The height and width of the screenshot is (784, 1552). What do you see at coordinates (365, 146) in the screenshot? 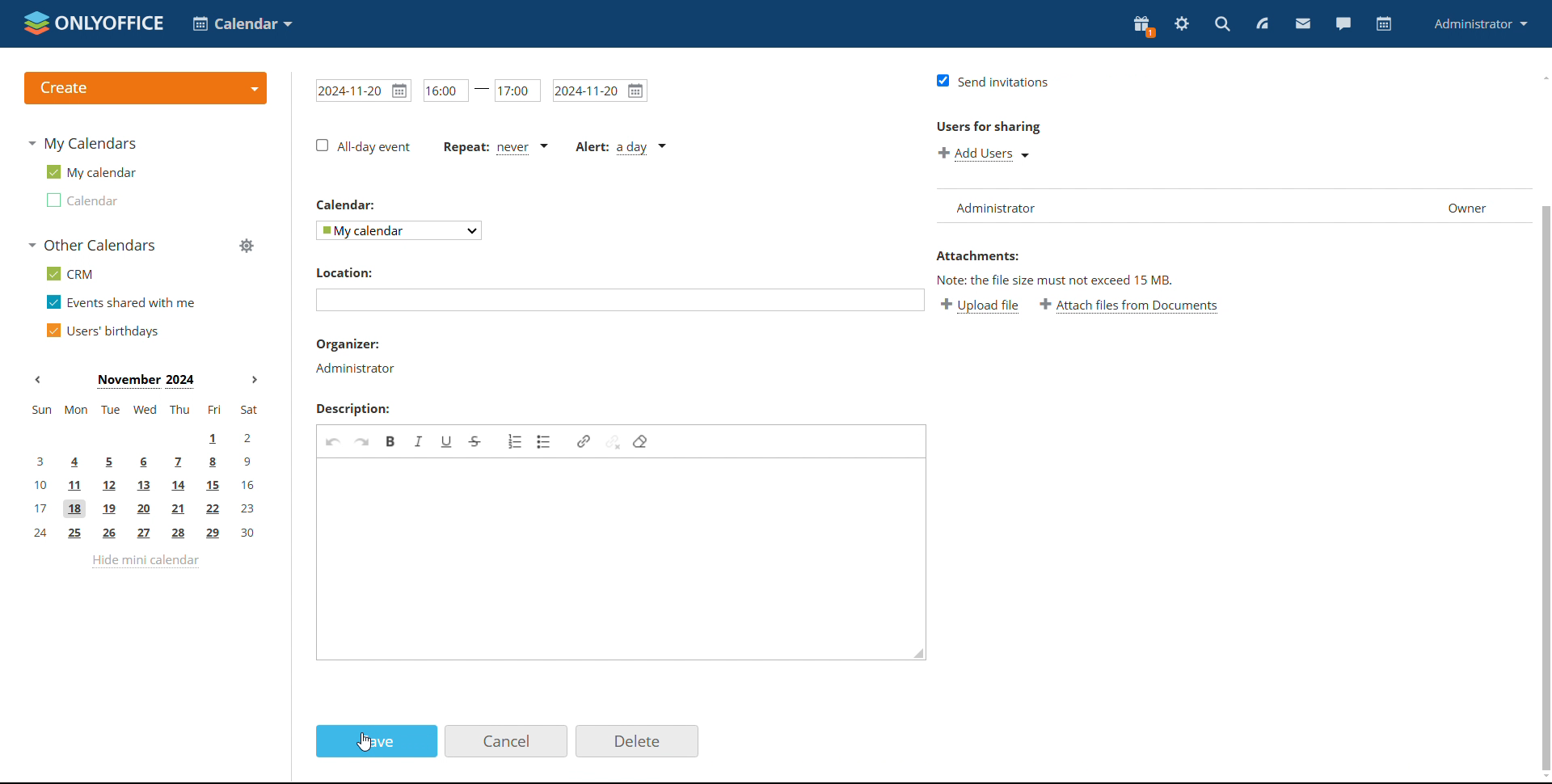
I see `all-day event checkbox` at bounding box center [365, 146].